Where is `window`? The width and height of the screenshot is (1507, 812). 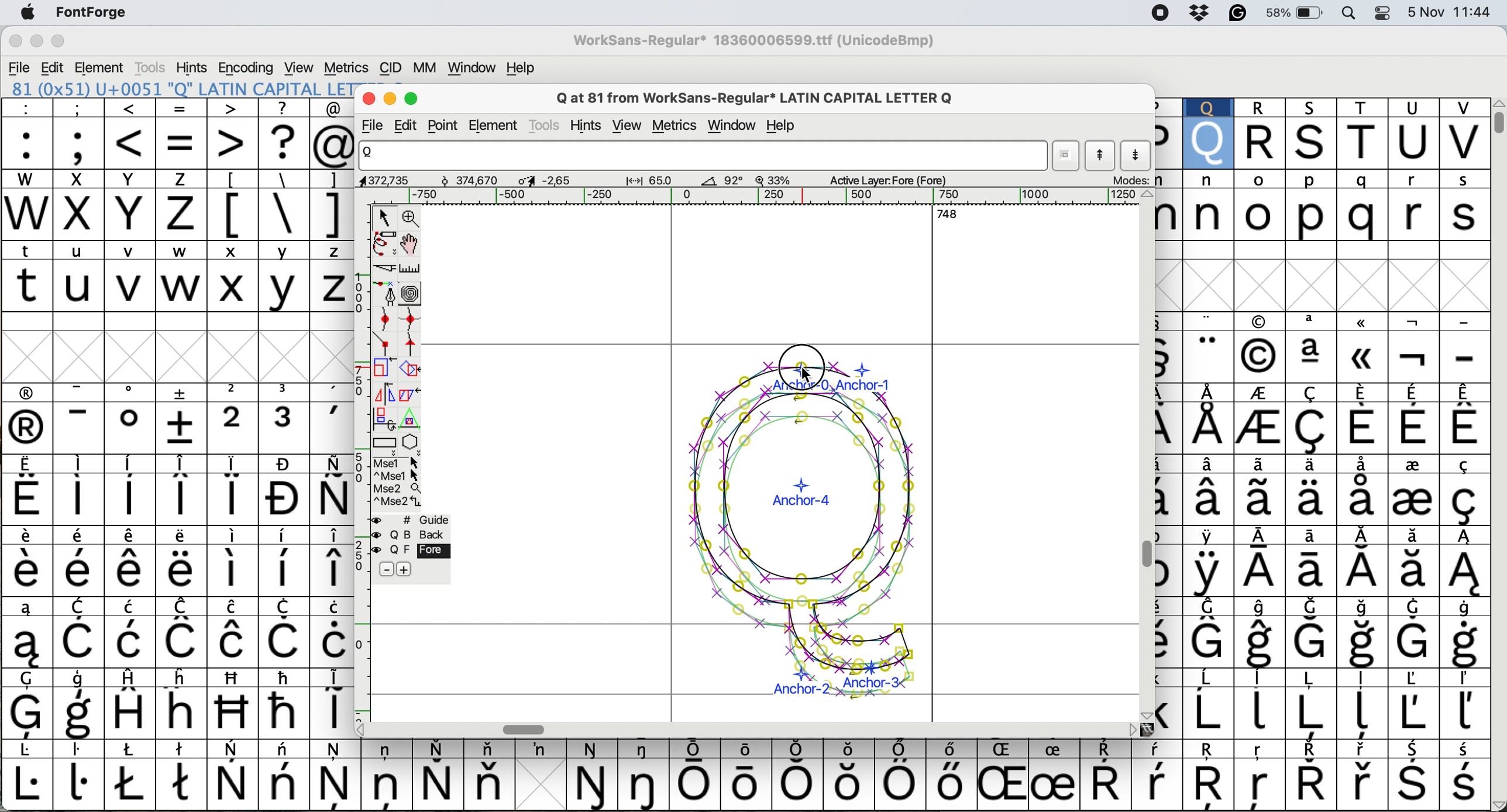
window is located at coordinates (473, 67).